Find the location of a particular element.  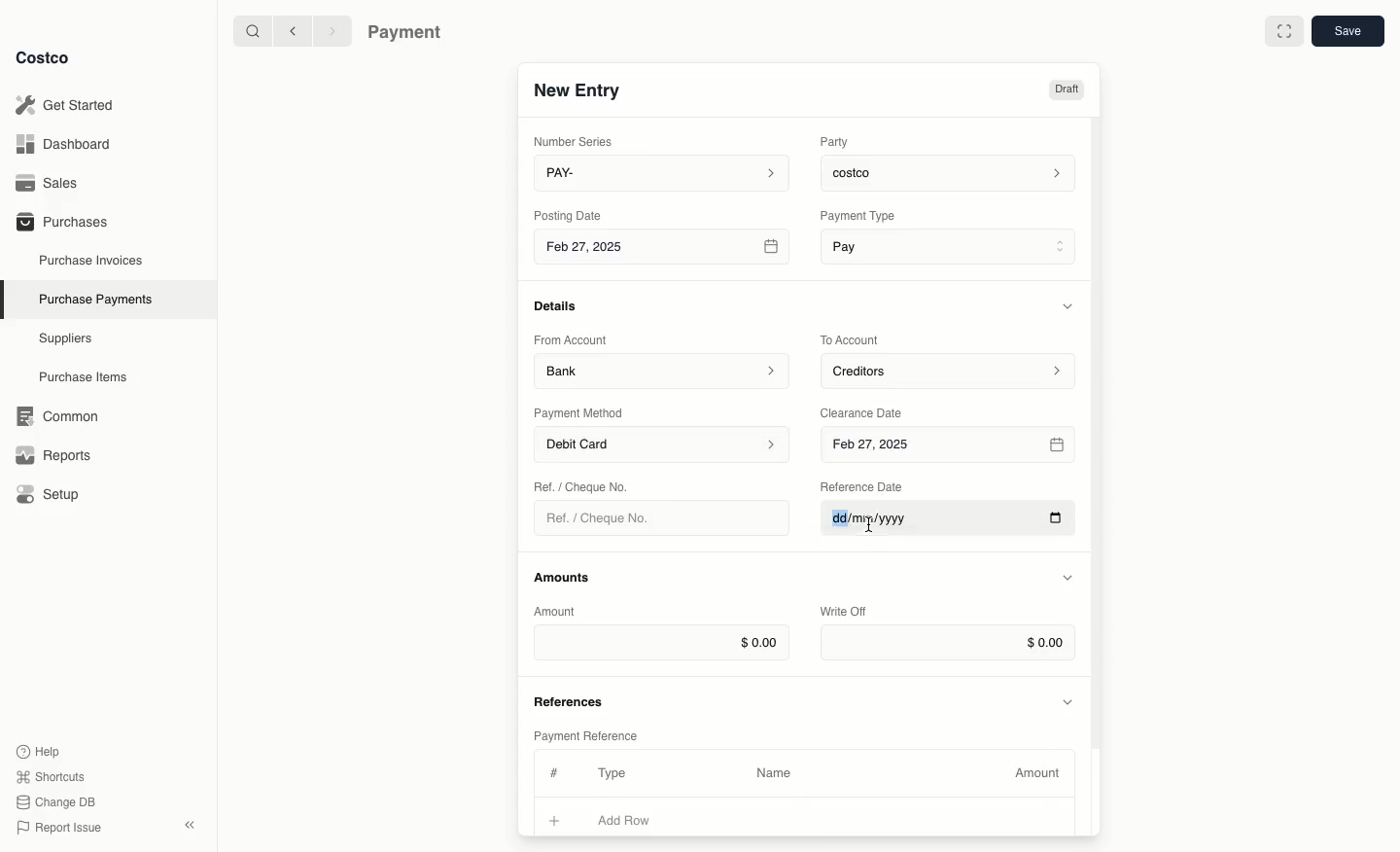

Hide is located at coordinates (1067, 579).